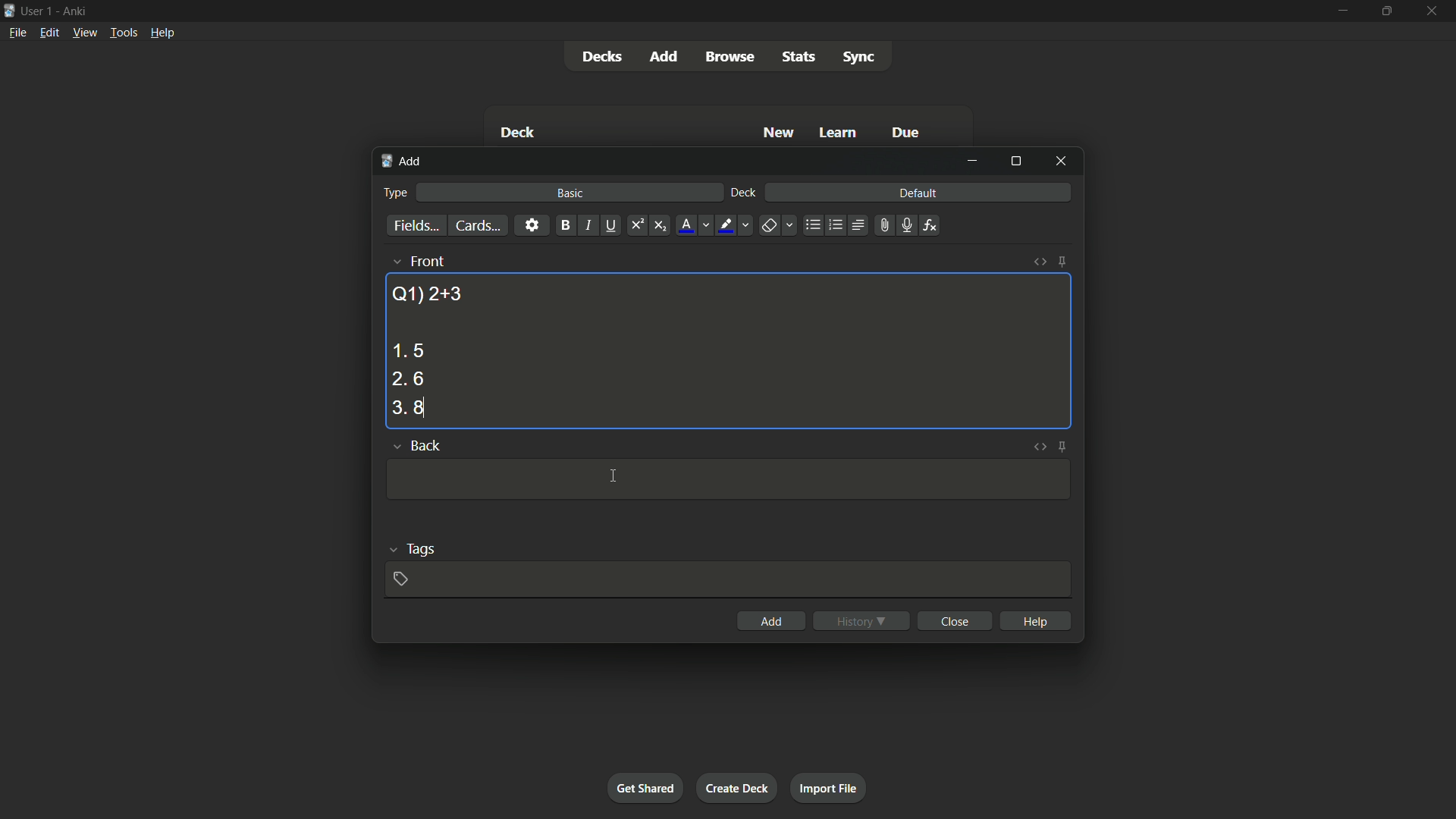 The height and width of the screenshot is (819, 1456). I want to click on type, so click(394, 193).